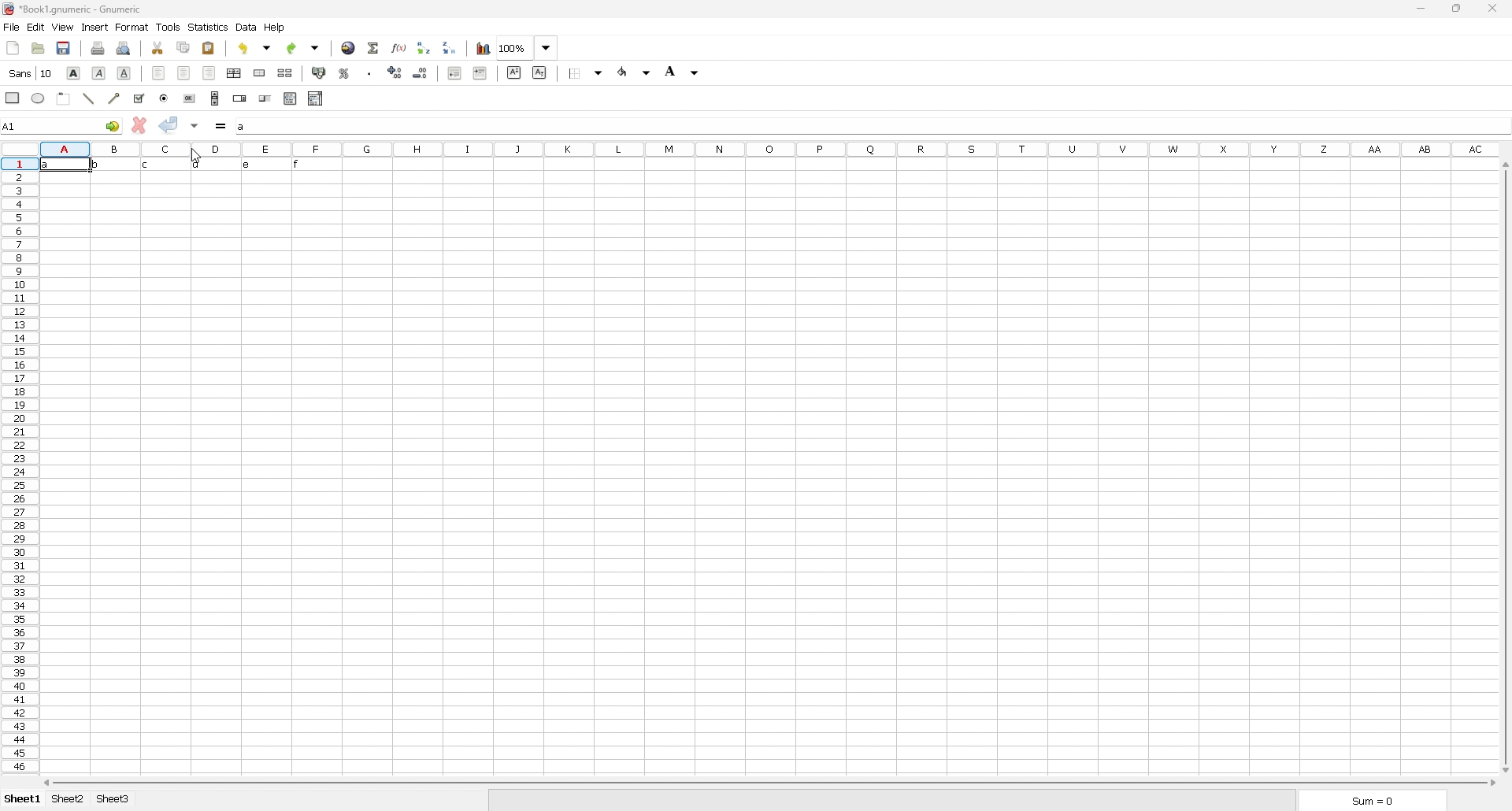  What do you see at coordinates (348, 48) in the screenshot?
I see `hyperlink` at bounding box center [348, 48].